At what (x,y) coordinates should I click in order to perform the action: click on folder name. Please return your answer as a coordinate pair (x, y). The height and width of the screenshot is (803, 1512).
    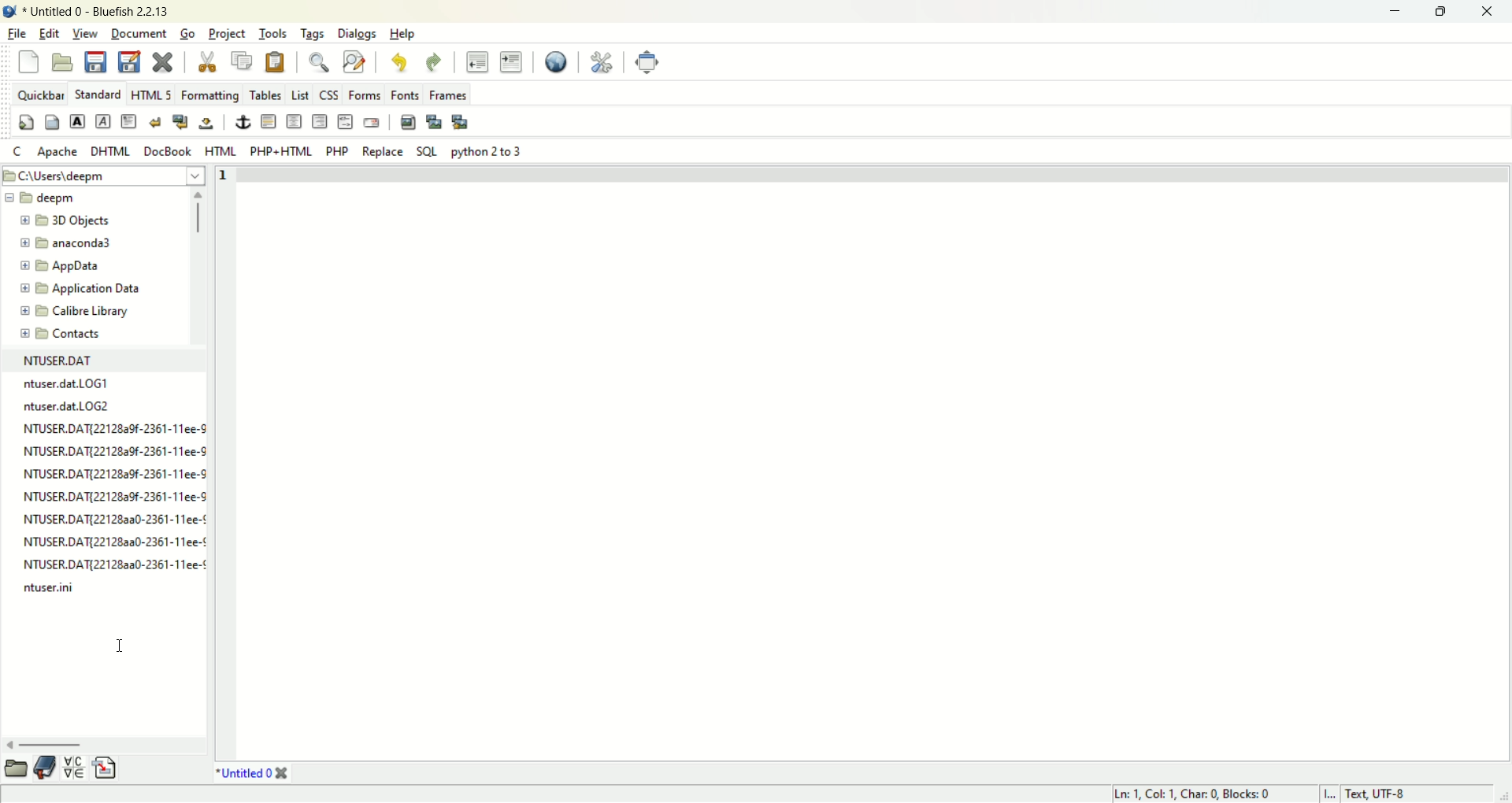
    Looking at the image, I should click on (83, 287).